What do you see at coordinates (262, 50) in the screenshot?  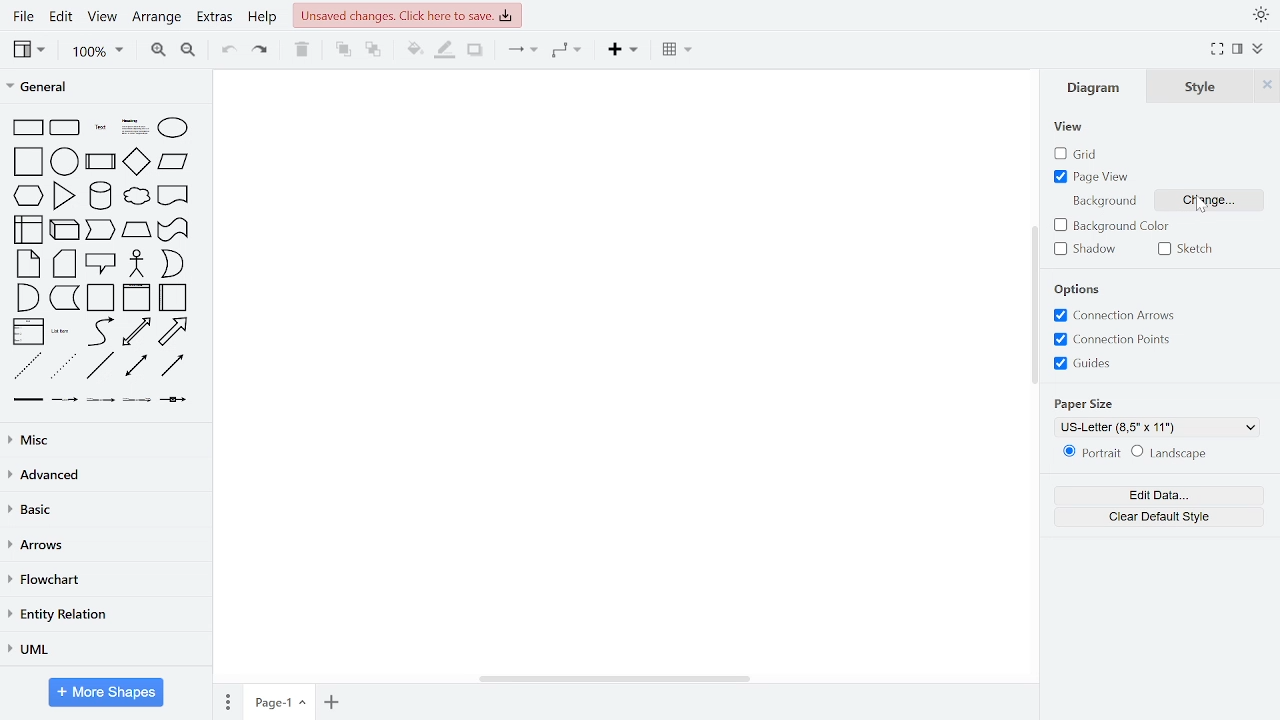 I see `redo` at bounding box center [262, 50].